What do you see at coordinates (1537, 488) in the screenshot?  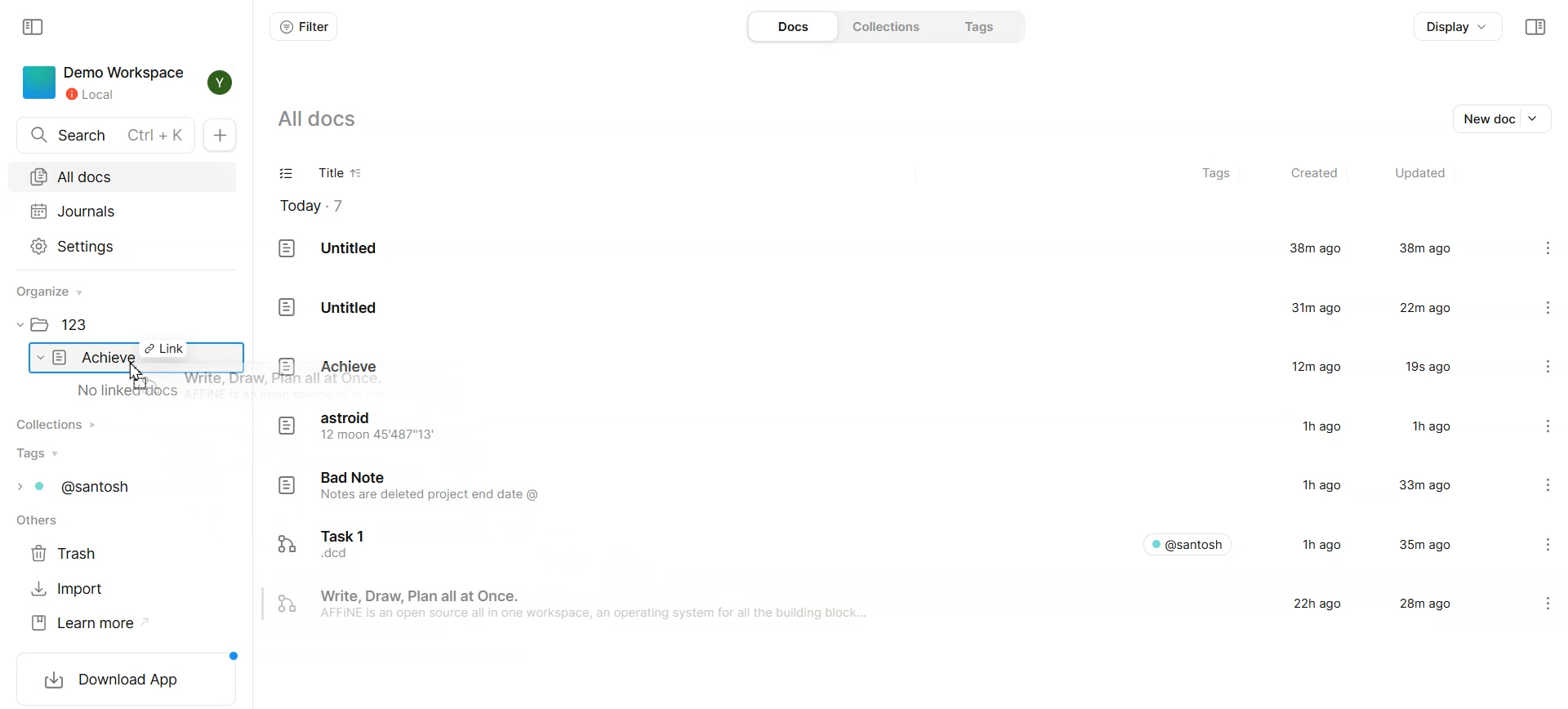 I see `Settings` at bounding box center [1537, 488].